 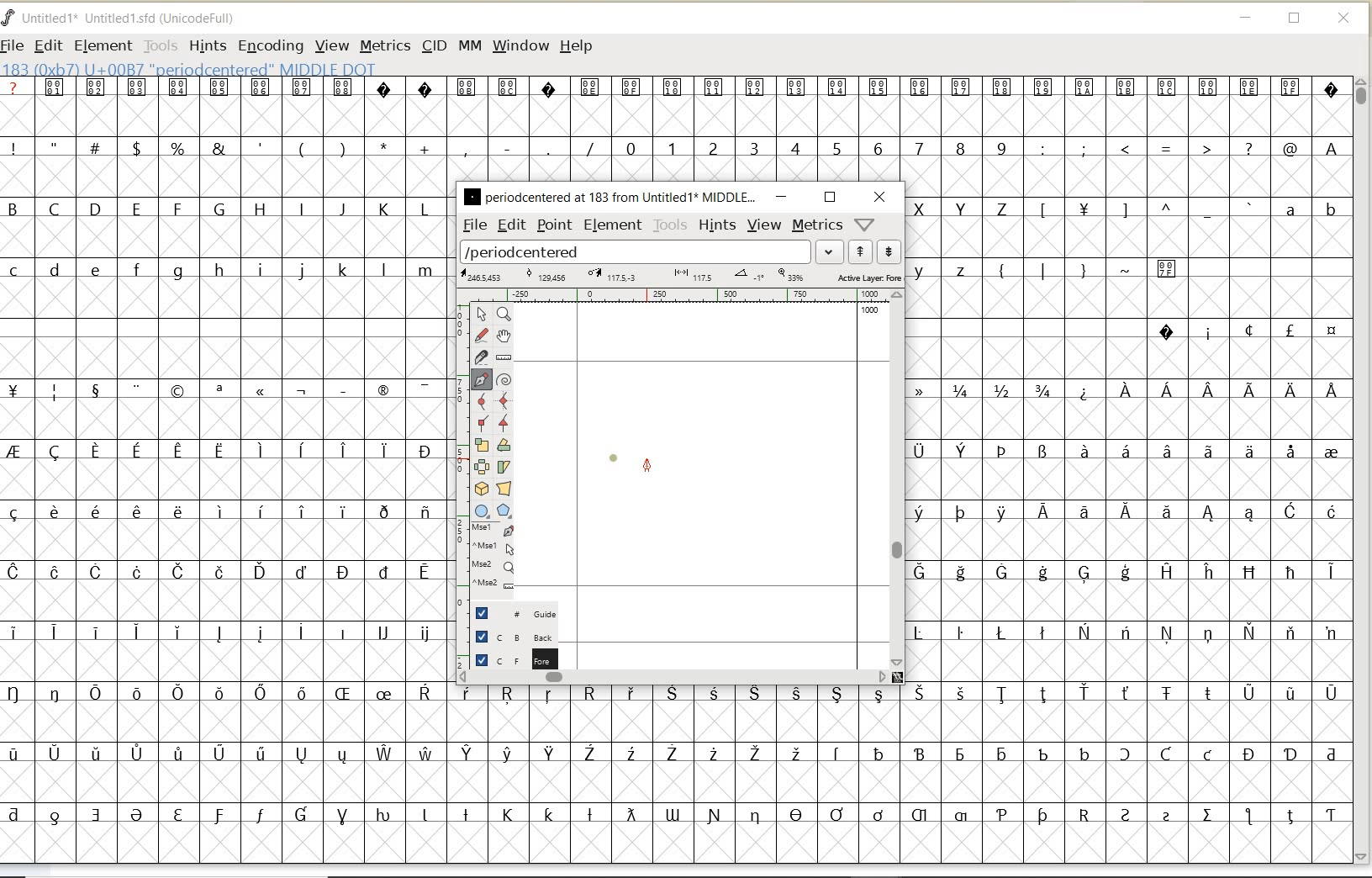 I want to click on flip the selection, so click(x=483, y=467).